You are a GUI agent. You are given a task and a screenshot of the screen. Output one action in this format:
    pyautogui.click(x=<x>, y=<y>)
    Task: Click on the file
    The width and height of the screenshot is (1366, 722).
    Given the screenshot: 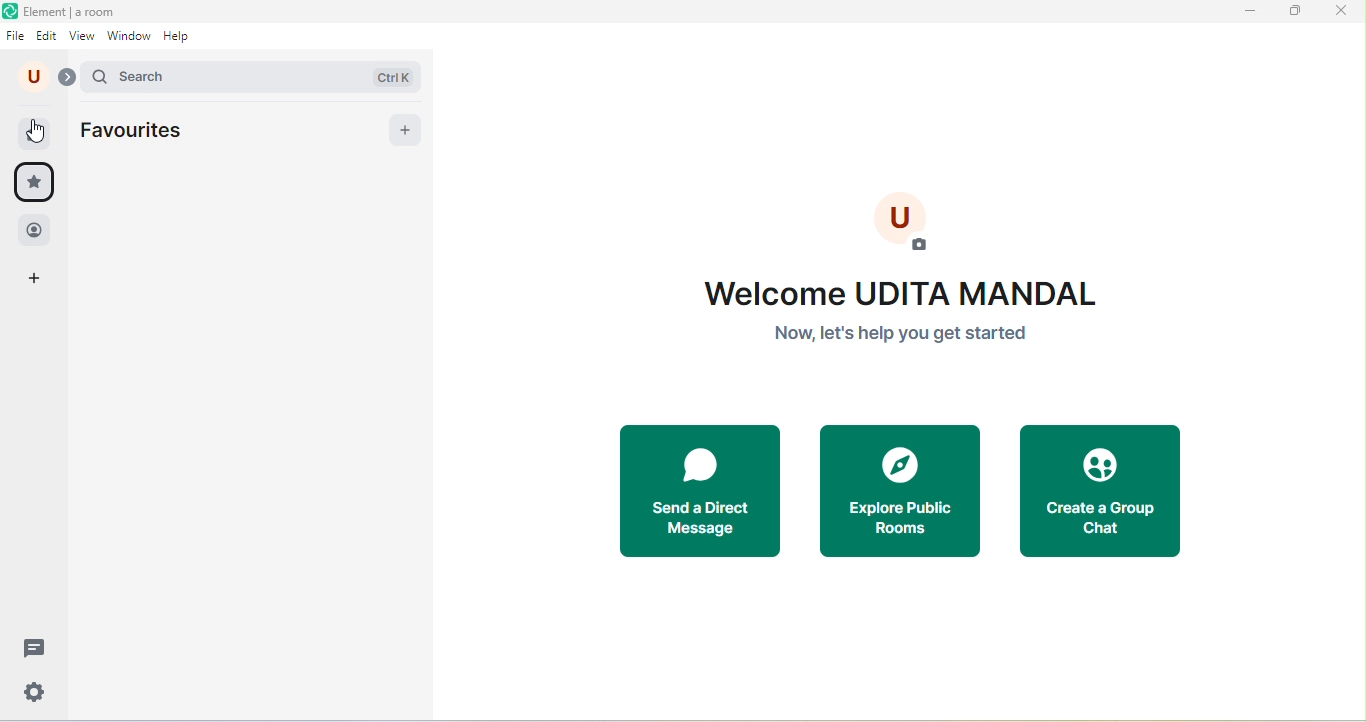 What is the action you would take?
    pyautogui.click(x=17, y=36)
    